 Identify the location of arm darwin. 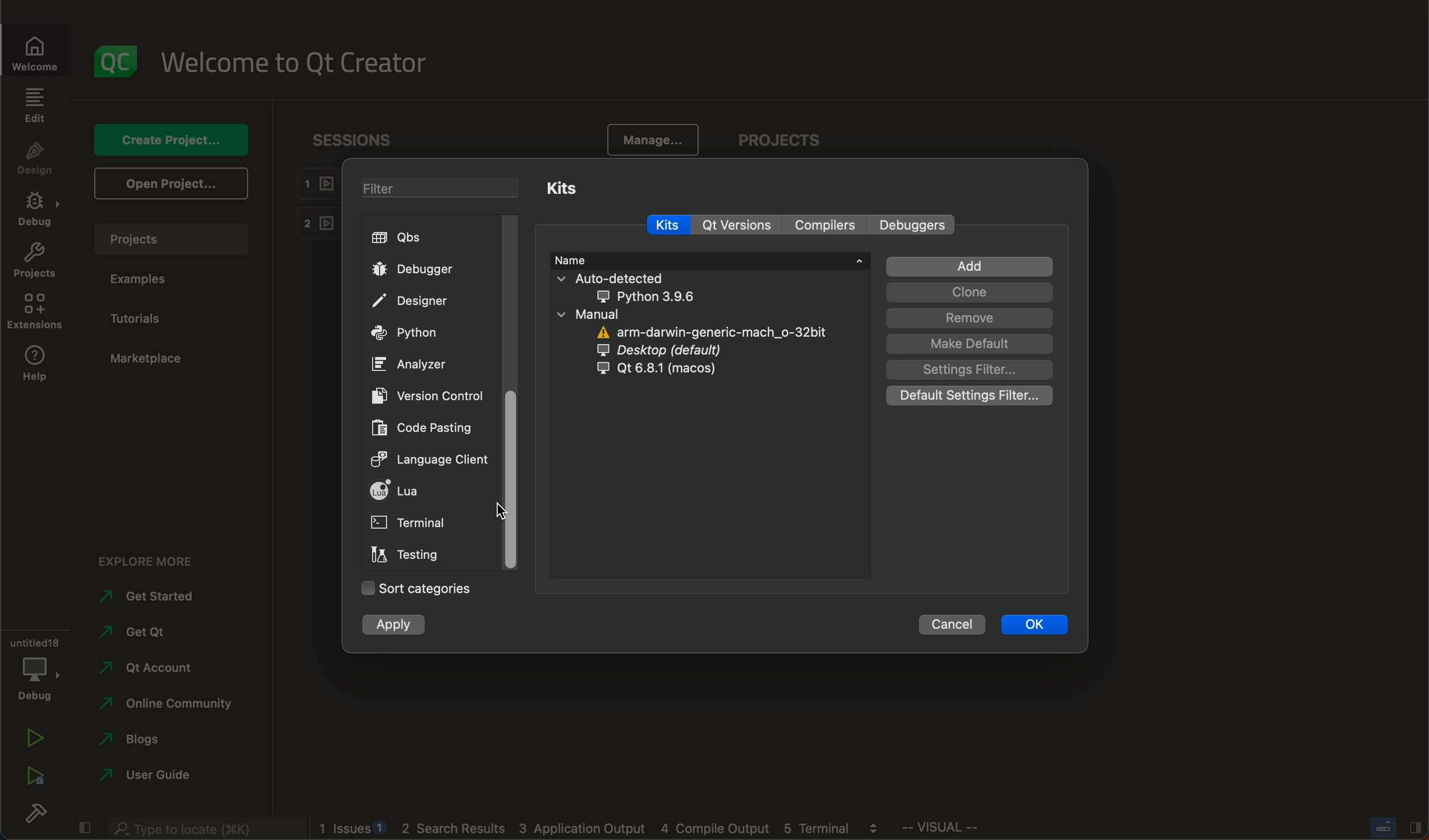
(708, 333).